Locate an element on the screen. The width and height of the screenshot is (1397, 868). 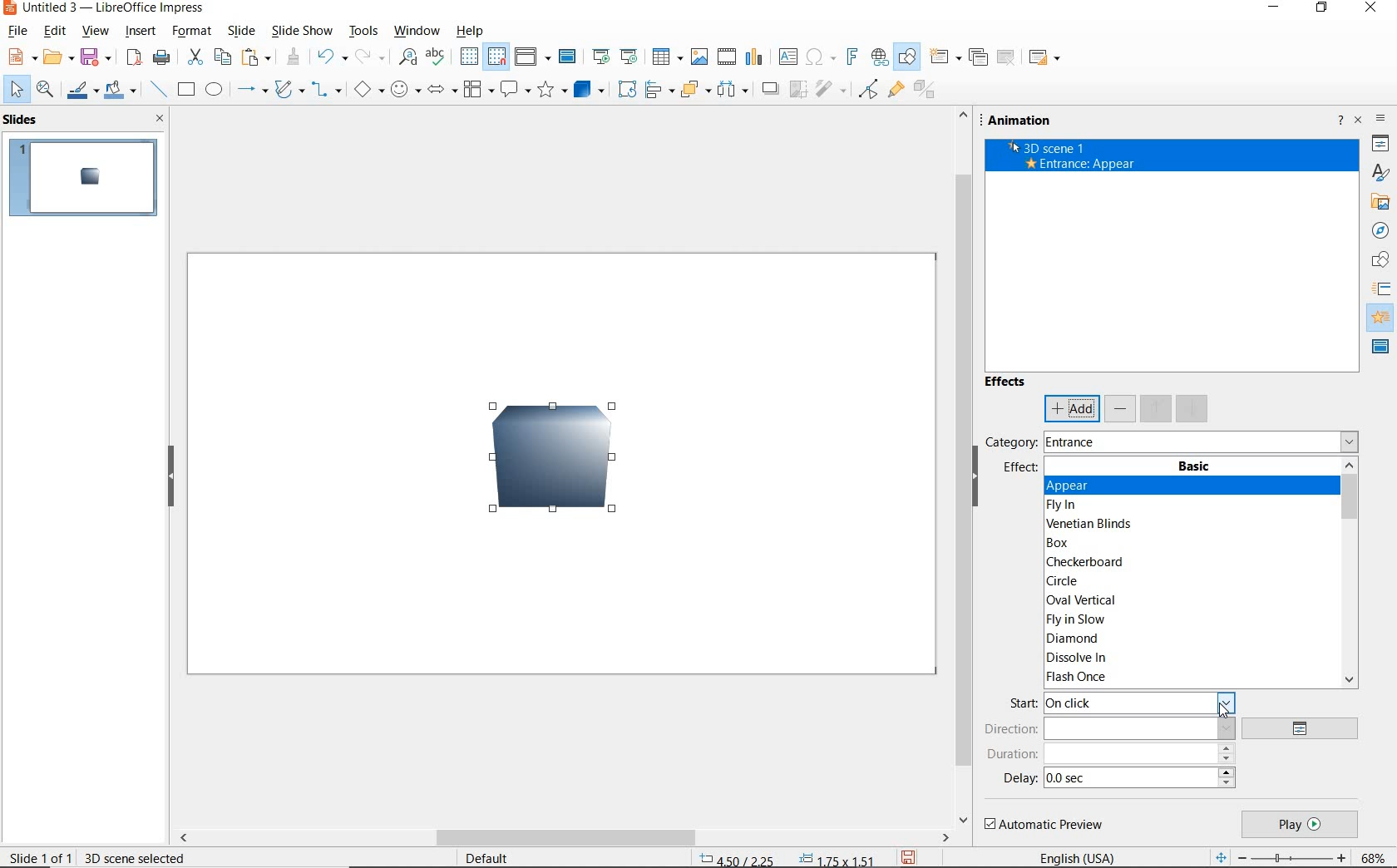
CIRCLE is located at coordinates (1065, 580).